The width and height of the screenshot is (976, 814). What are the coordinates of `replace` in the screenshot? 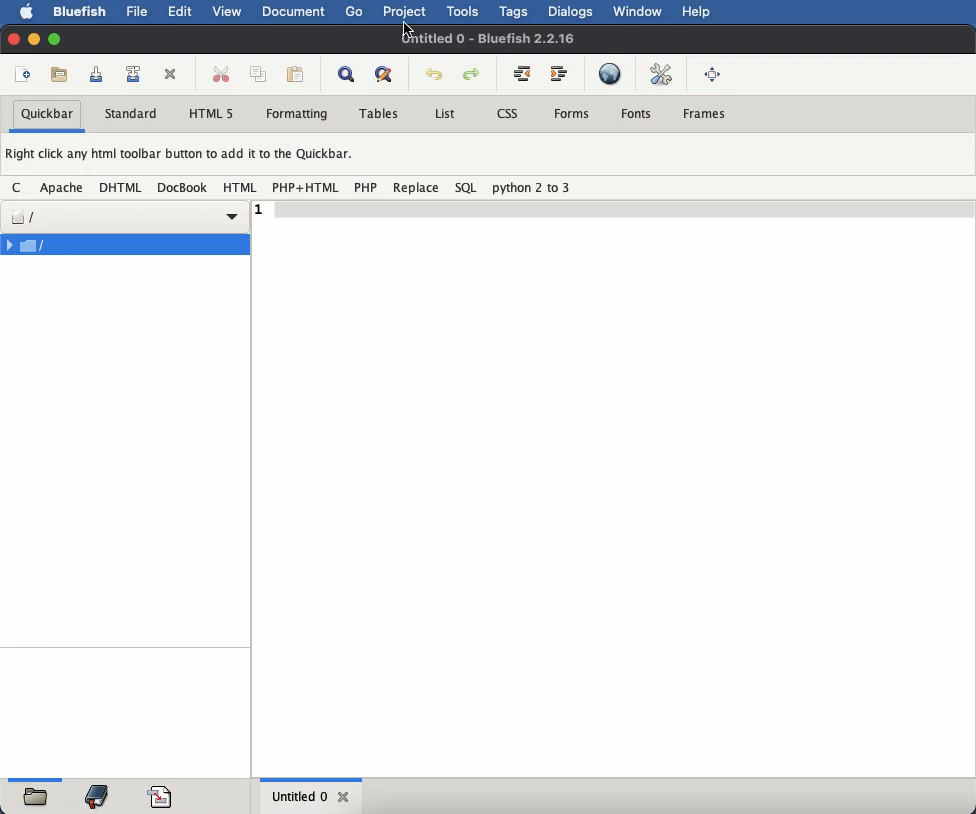 It's located at (415, 187).